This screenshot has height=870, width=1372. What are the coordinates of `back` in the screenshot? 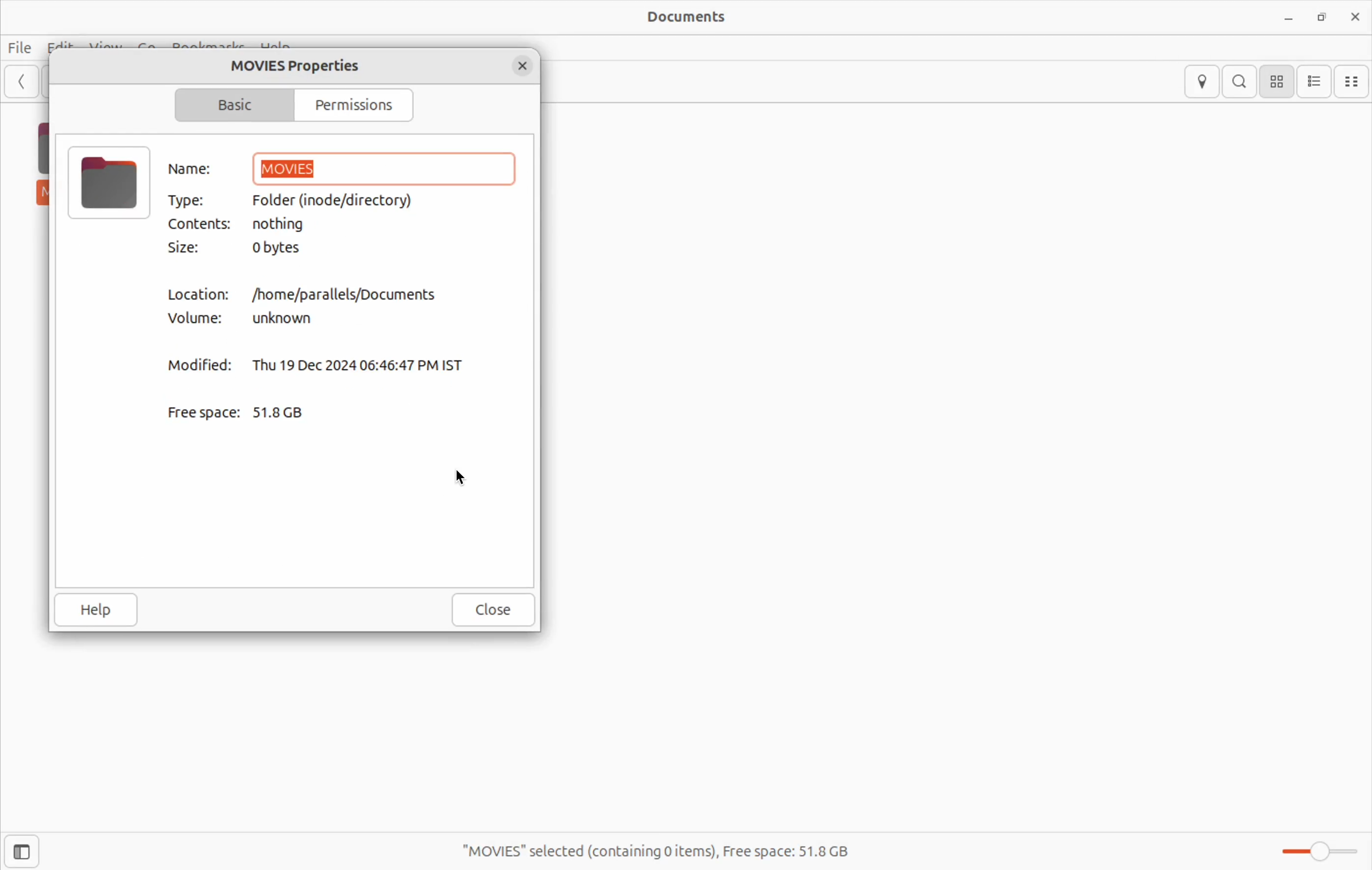 It's located at (20, 81).